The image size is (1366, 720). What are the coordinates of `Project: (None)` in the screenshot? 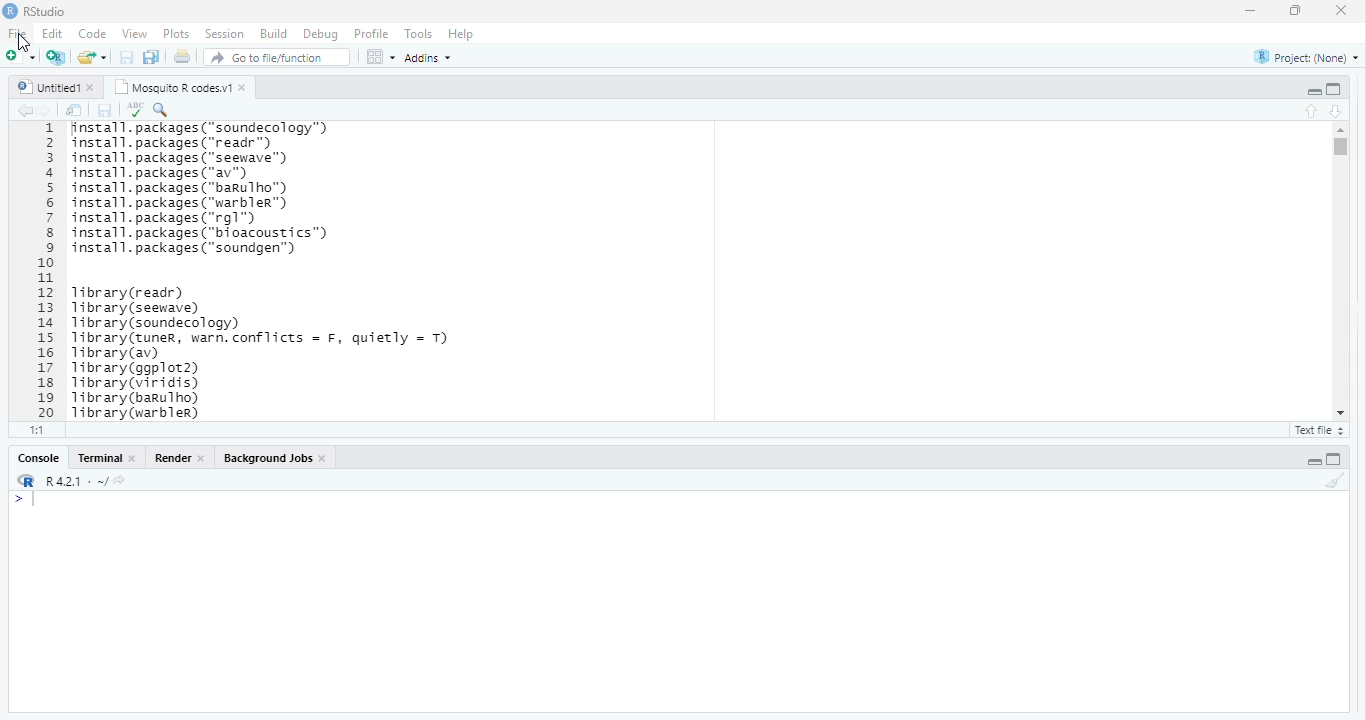 It's located at (1307, 58).